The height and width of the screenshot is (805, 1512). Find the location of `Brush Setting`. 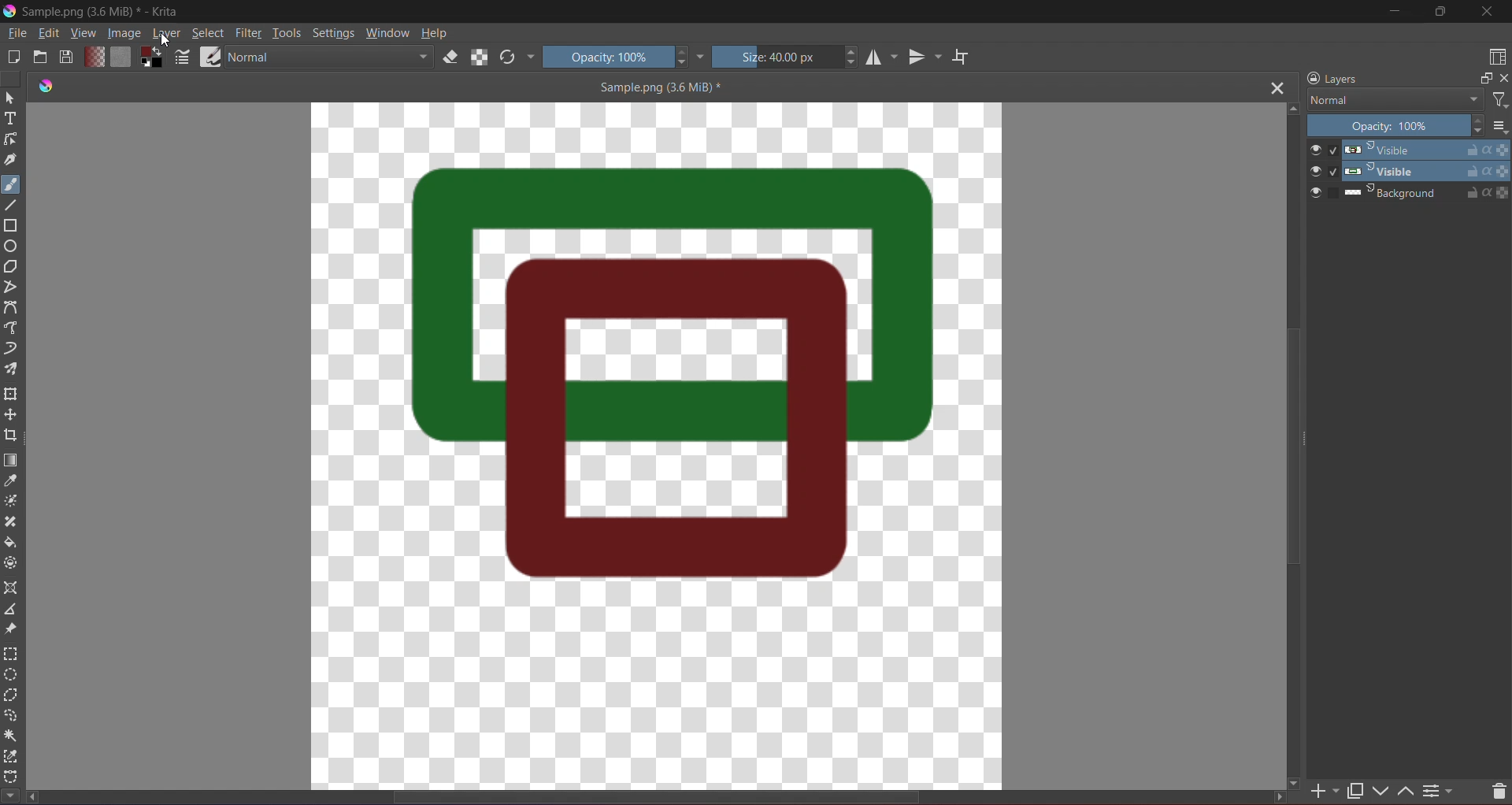

Brush Setting is located at coordinates (183, 59).